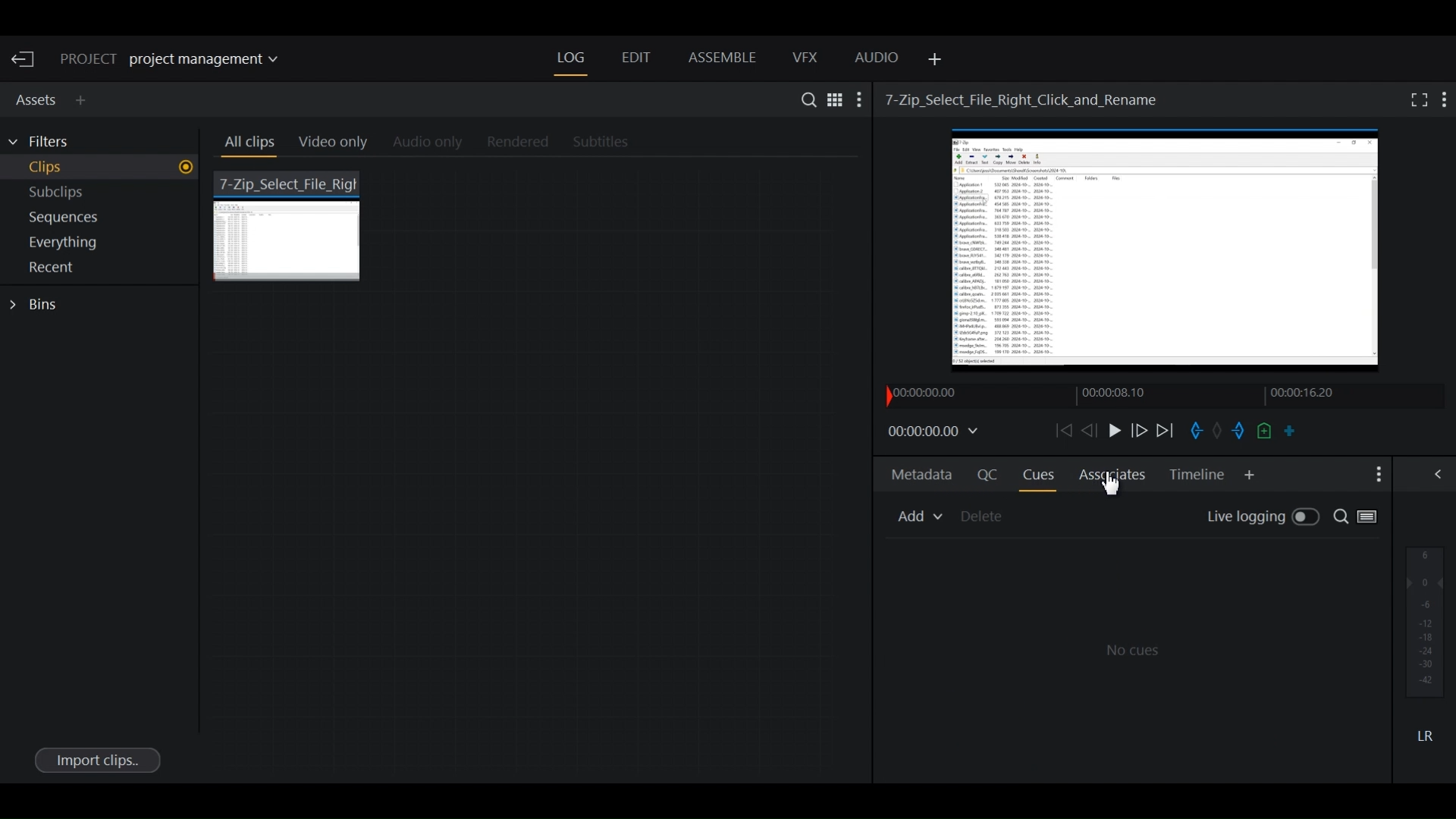 Image resolution: width=1456 pixels, height=819 pixels. What do you see at coordinates (180, 60) in the screenshot?
I see `Show/change current project details` at bounding box center [180, 60].